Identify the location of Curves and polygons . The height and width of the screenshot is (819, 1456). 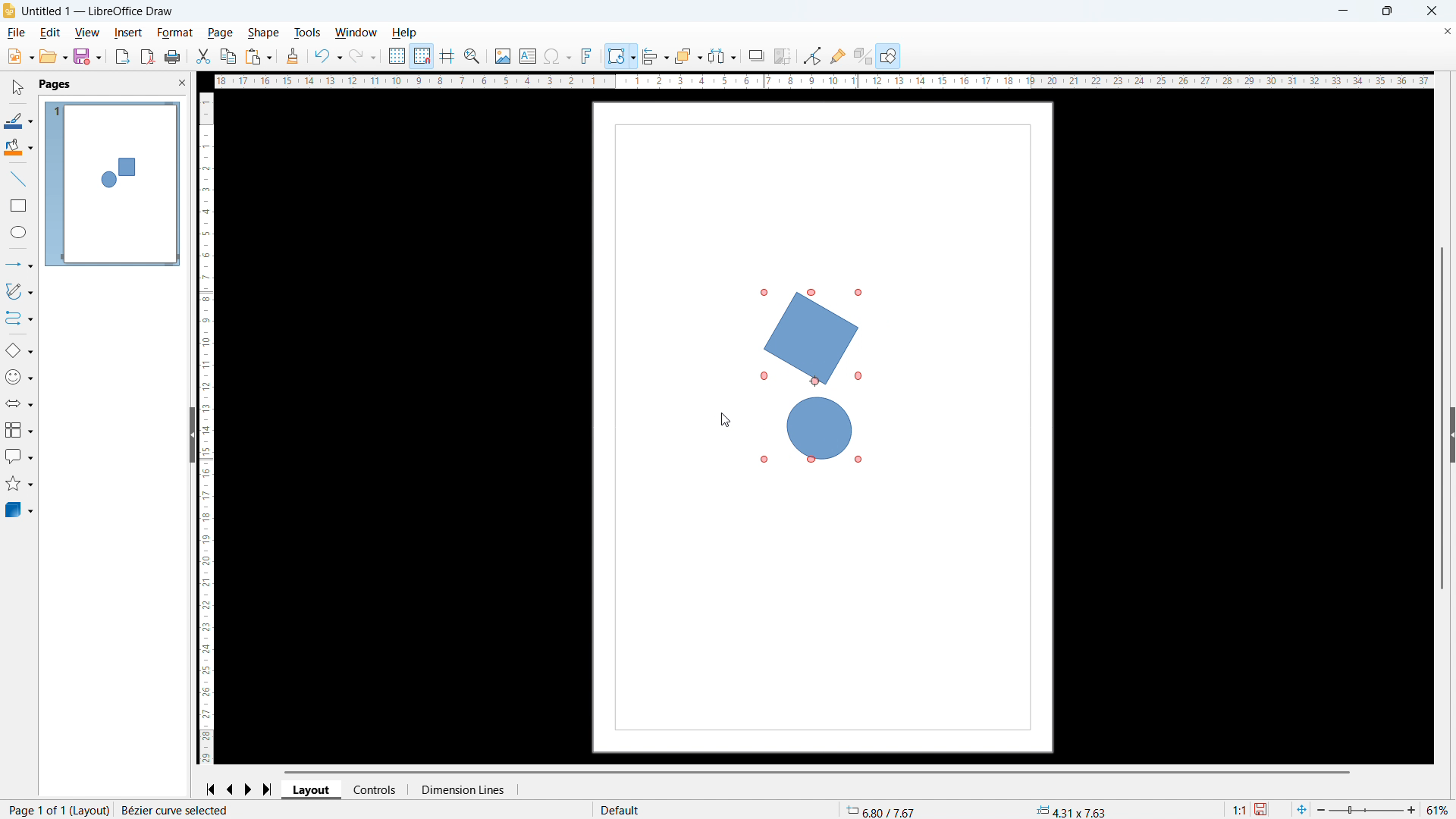
(20, 291).